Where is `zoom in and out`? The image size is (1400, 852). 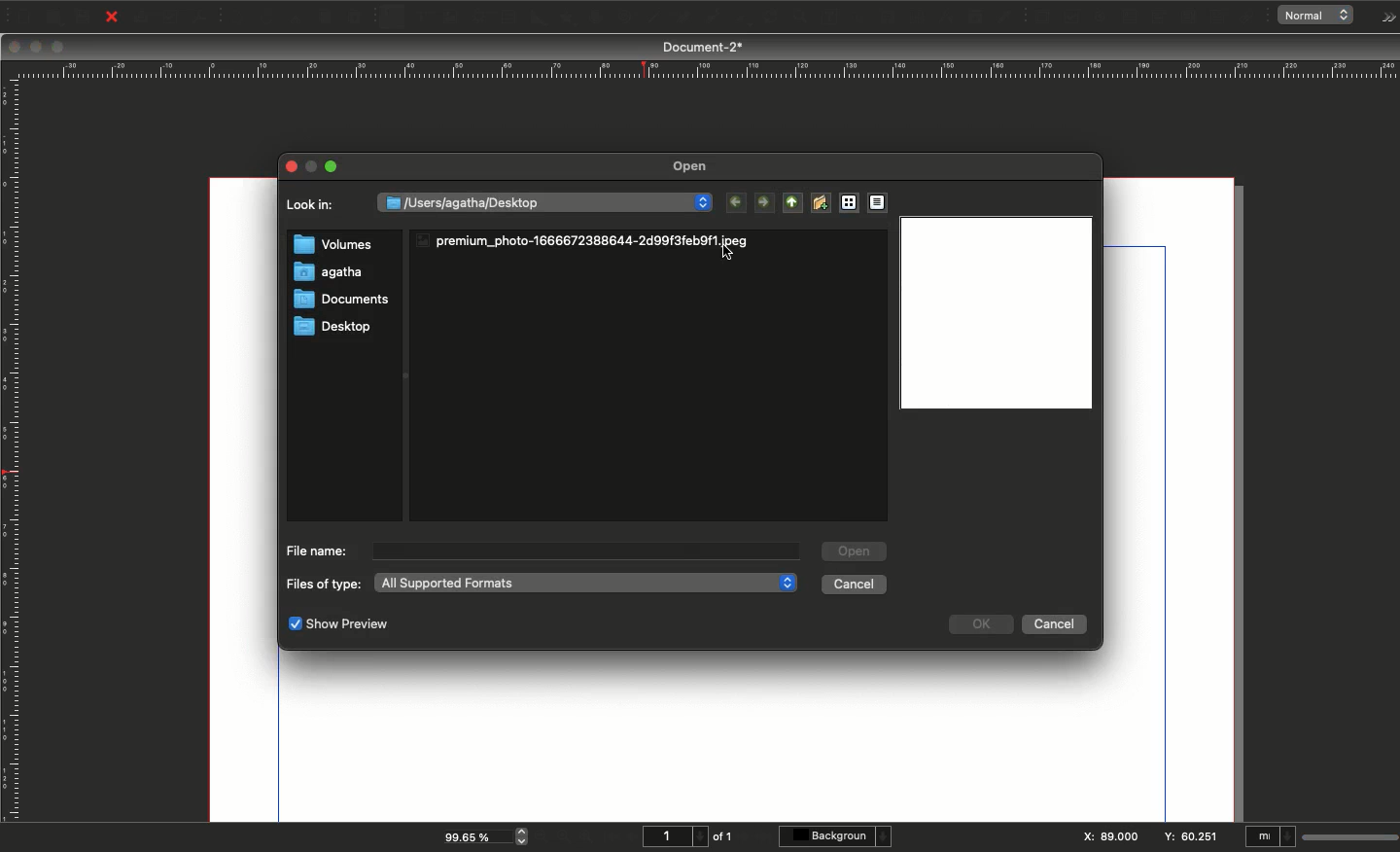 zoom in and out is located at coordinates (525, 835).